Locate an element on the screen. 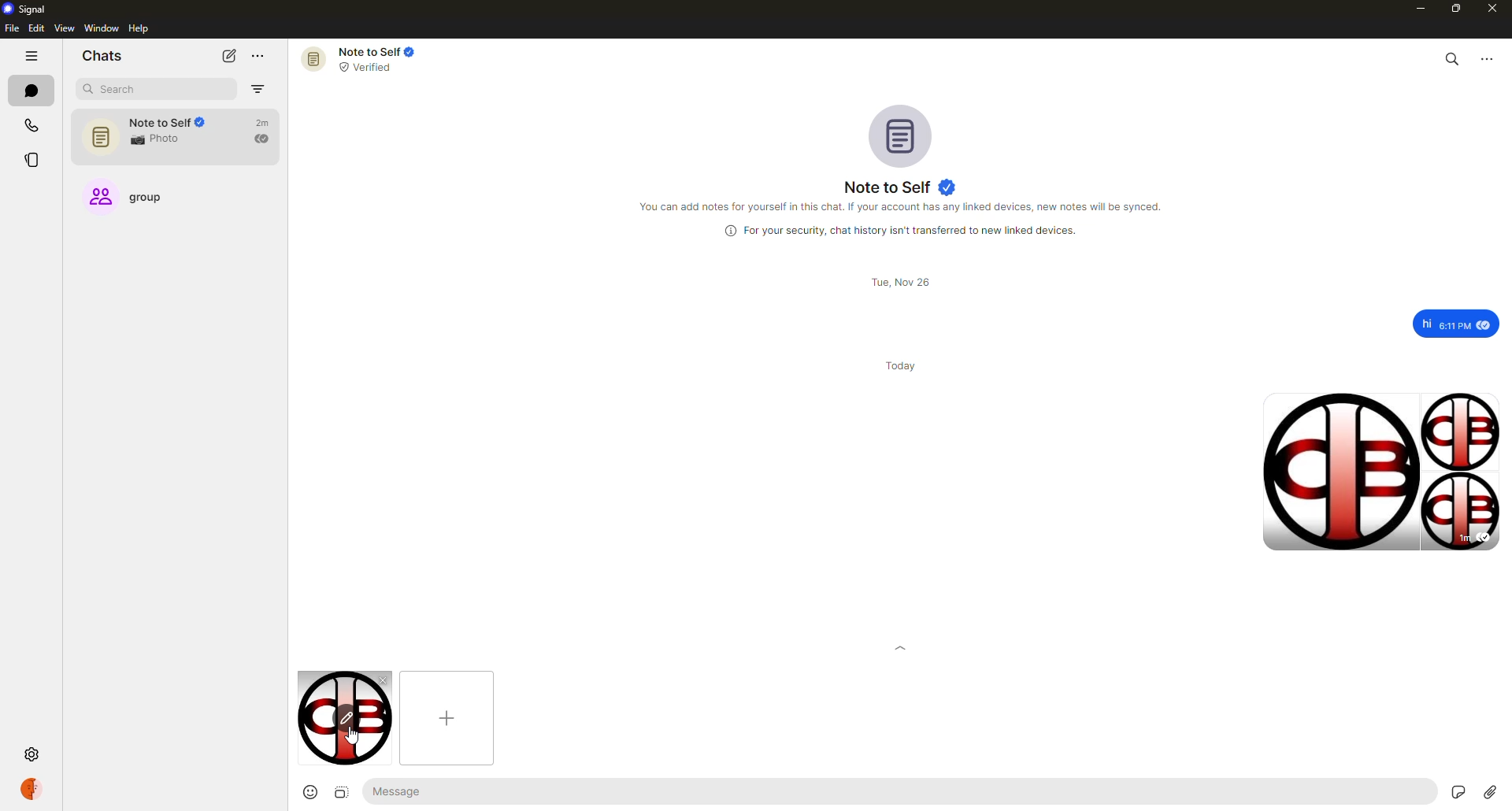 The height and width of the screenshot is (811, 1512). search is located at coordinates (1451, 58).